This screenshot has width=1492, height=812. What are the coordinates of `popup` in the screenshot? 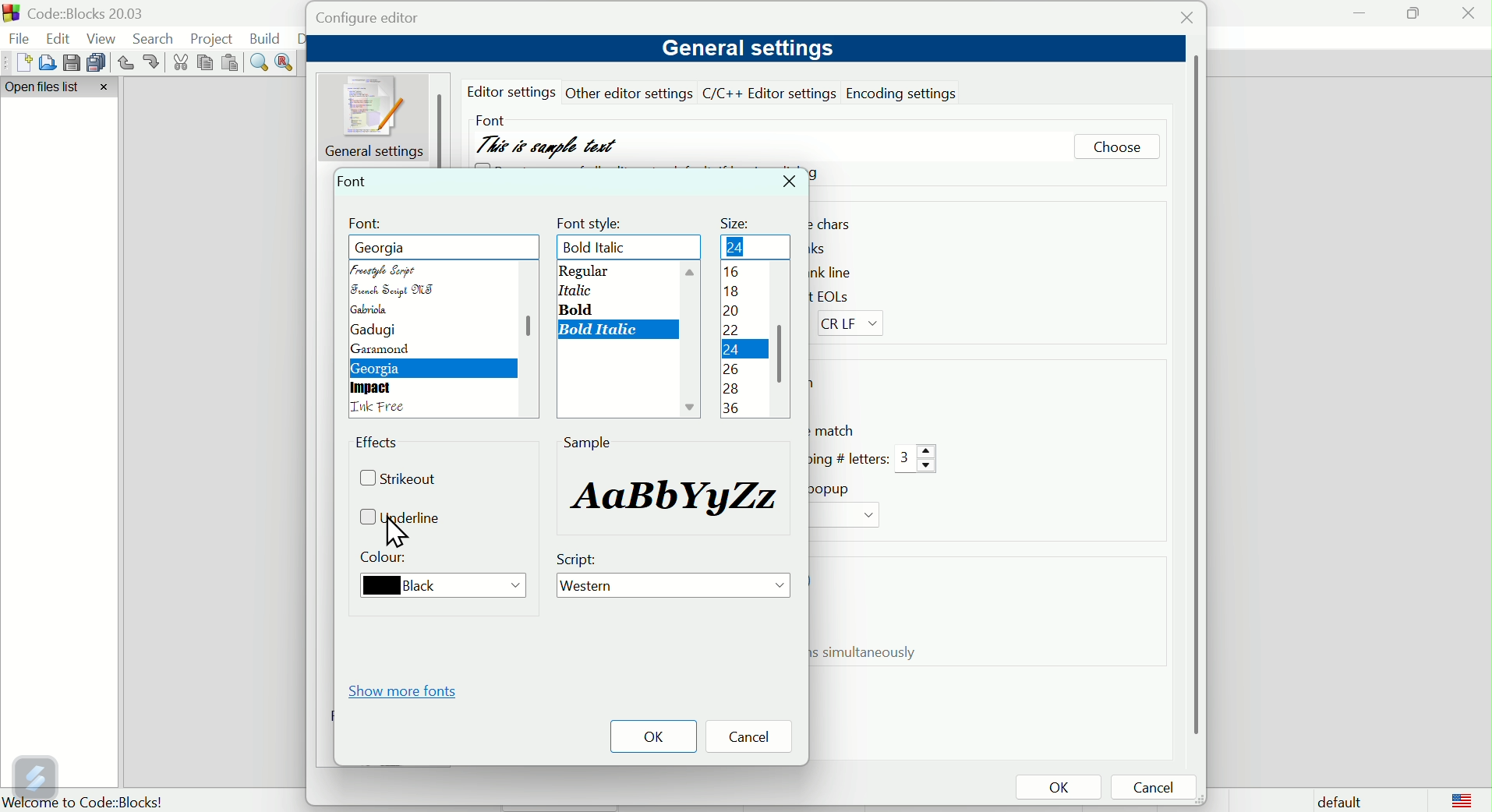 It's located at (834, 489).